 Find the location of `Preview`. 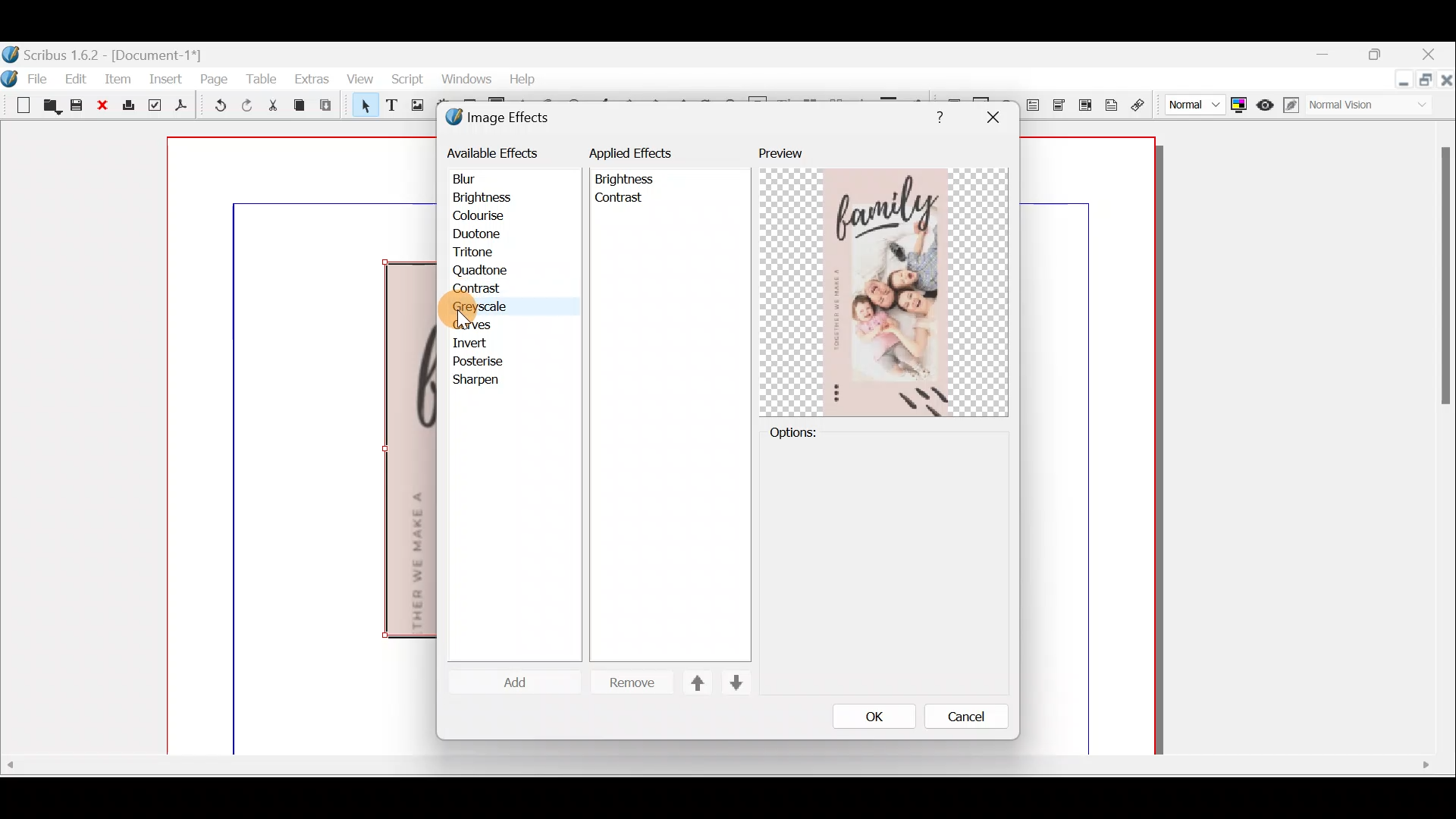

Preview is located at coordinates (789, 149).